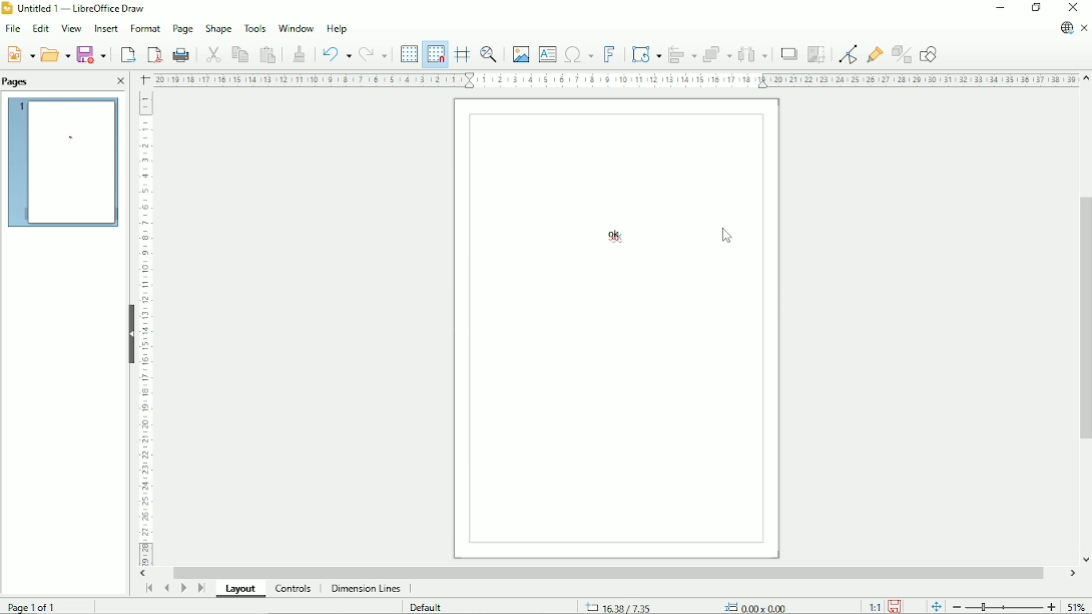 Image resolution: width=1092 pixels, height=614 pixels. Describe the element at coordinates (145, 328) in the screenshot. I see `Vertical scale` at that location.